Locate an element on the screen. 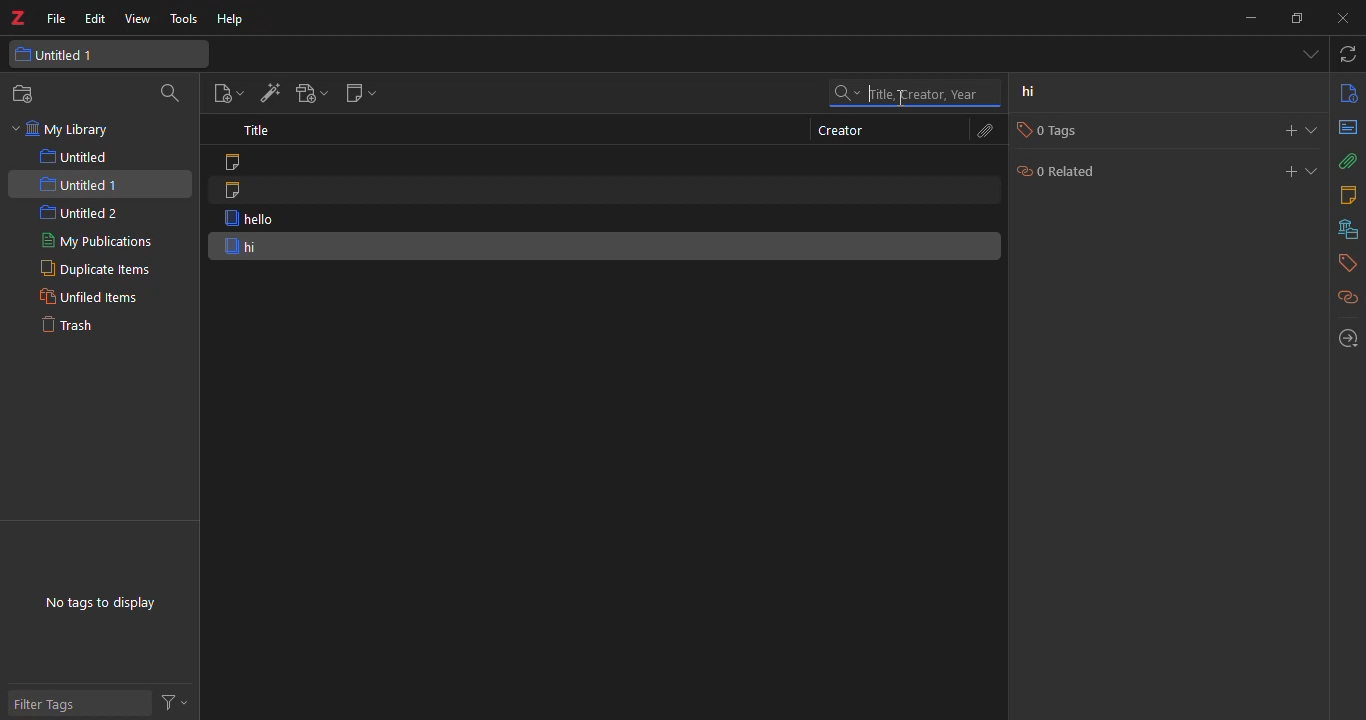 This screenshot has width=1366, height=720. view is located at coordinates (137, 19).